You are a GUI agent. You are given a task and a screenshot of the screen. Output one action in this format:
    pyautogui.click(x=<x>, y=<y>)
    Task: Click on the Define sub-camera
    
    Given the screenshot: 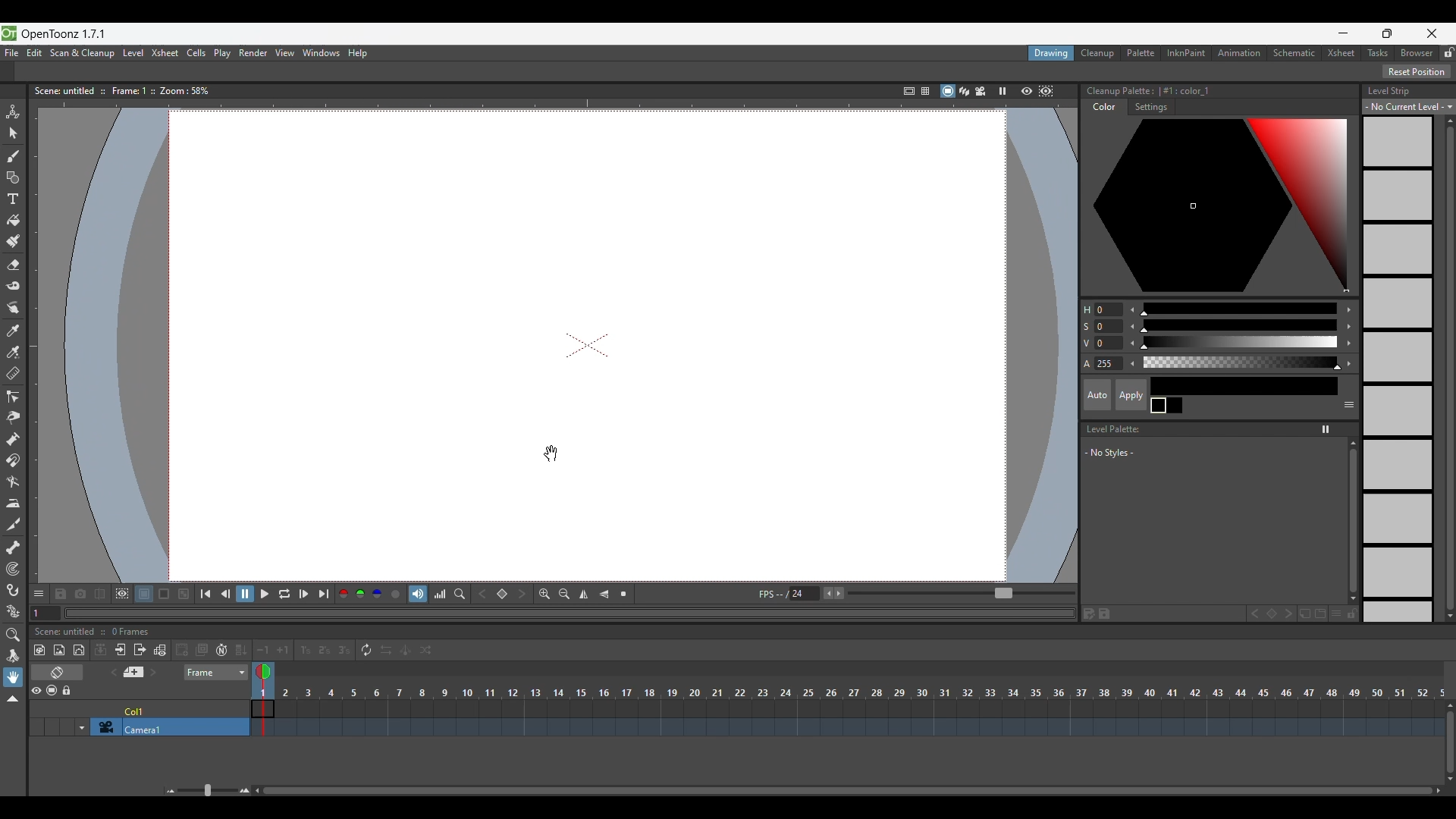 What is the action you would take?
    pyautogui.click(x=122, y=594)
    